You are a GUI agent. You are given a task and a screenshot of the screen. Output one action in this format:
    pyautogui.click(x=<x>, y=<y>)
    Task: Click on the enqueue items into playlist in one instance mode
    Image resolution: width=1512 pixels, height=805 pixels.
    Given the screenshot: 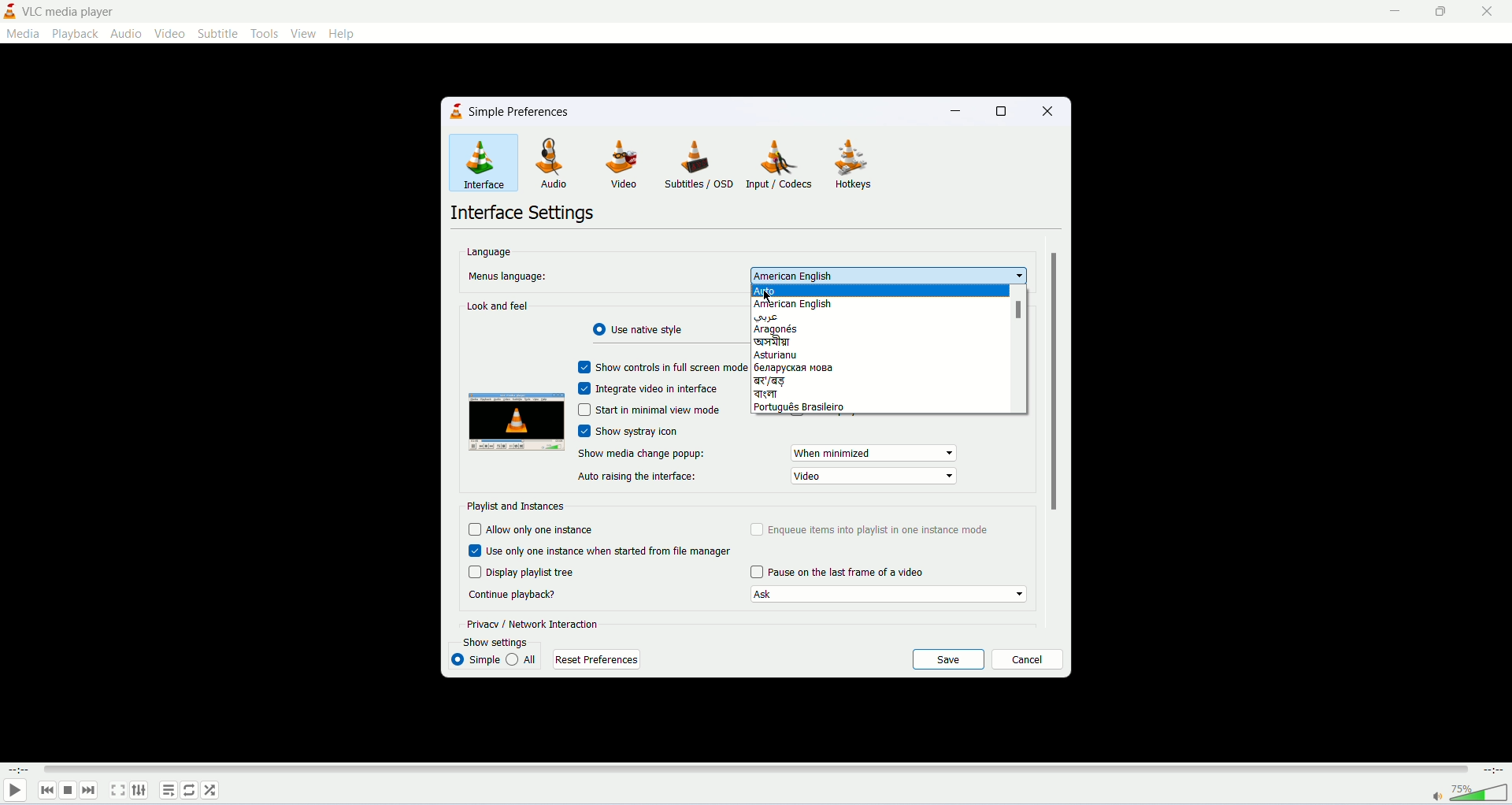 What is the action you would take?
    pyautogui.click(x=871, y=529)
    